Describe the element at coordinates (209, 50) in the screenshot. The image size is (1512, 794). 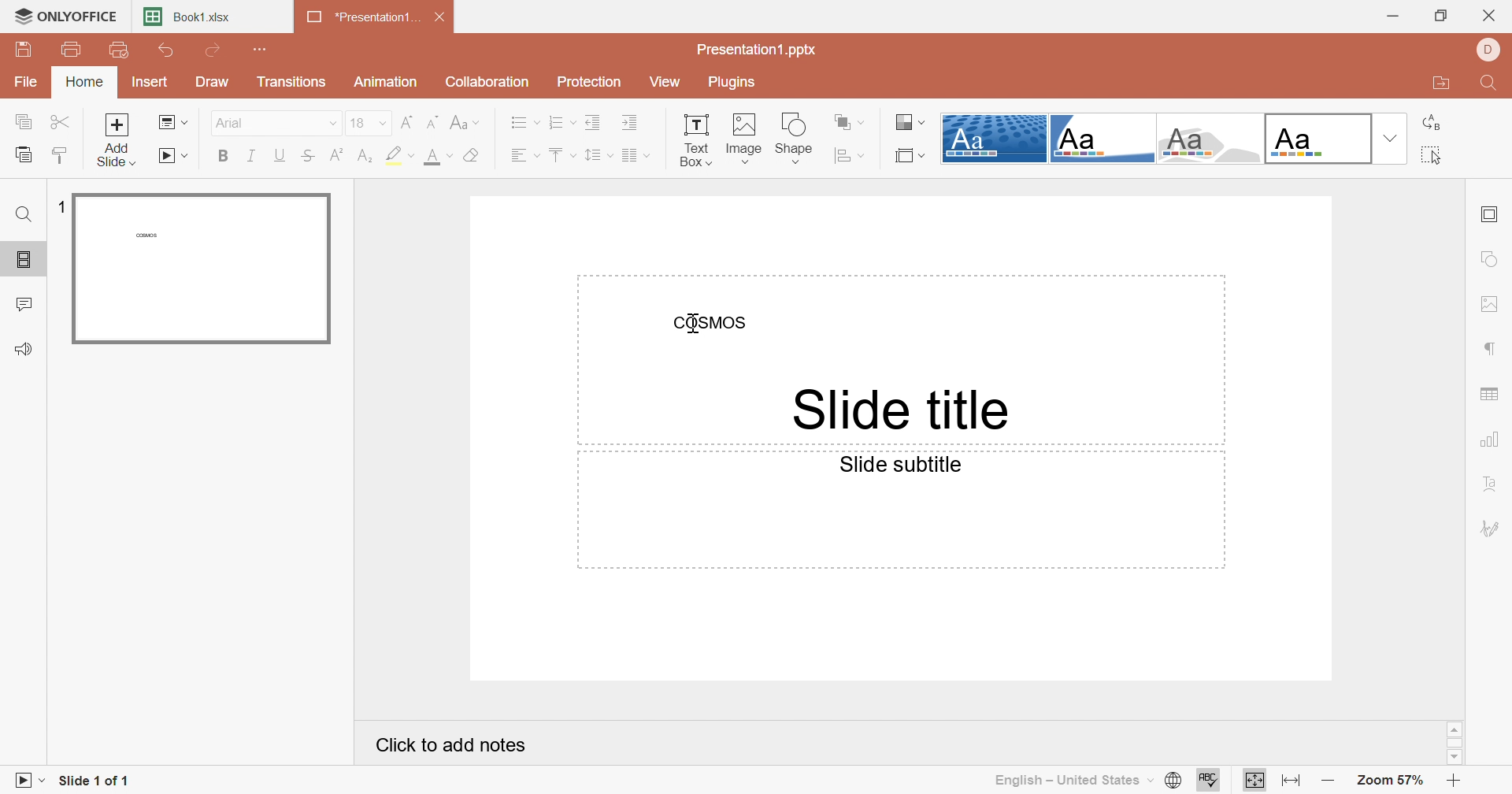
I see `Redo` at that location.